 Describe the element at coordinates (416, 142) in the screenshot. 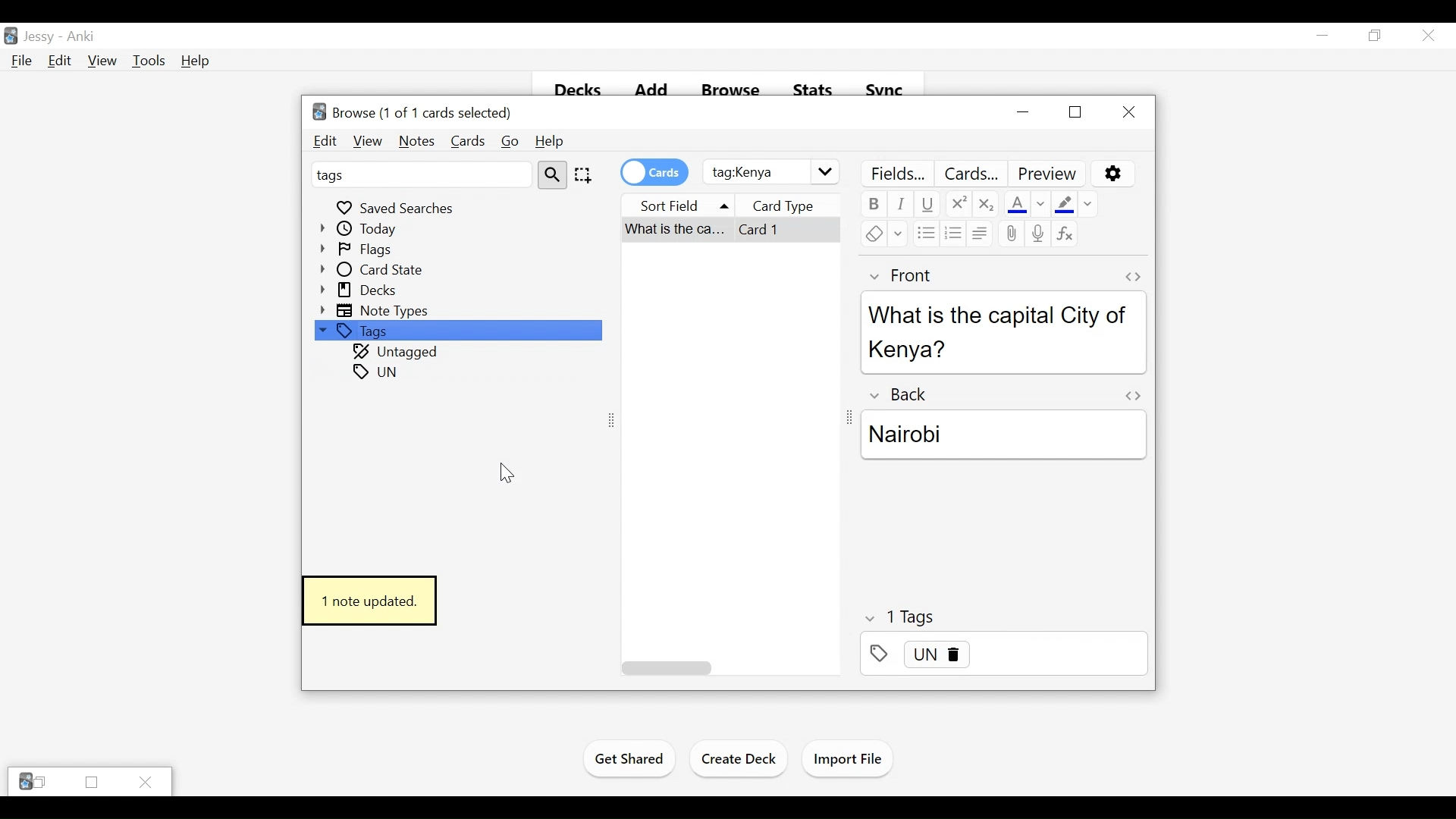

I see `Notes` at that location.